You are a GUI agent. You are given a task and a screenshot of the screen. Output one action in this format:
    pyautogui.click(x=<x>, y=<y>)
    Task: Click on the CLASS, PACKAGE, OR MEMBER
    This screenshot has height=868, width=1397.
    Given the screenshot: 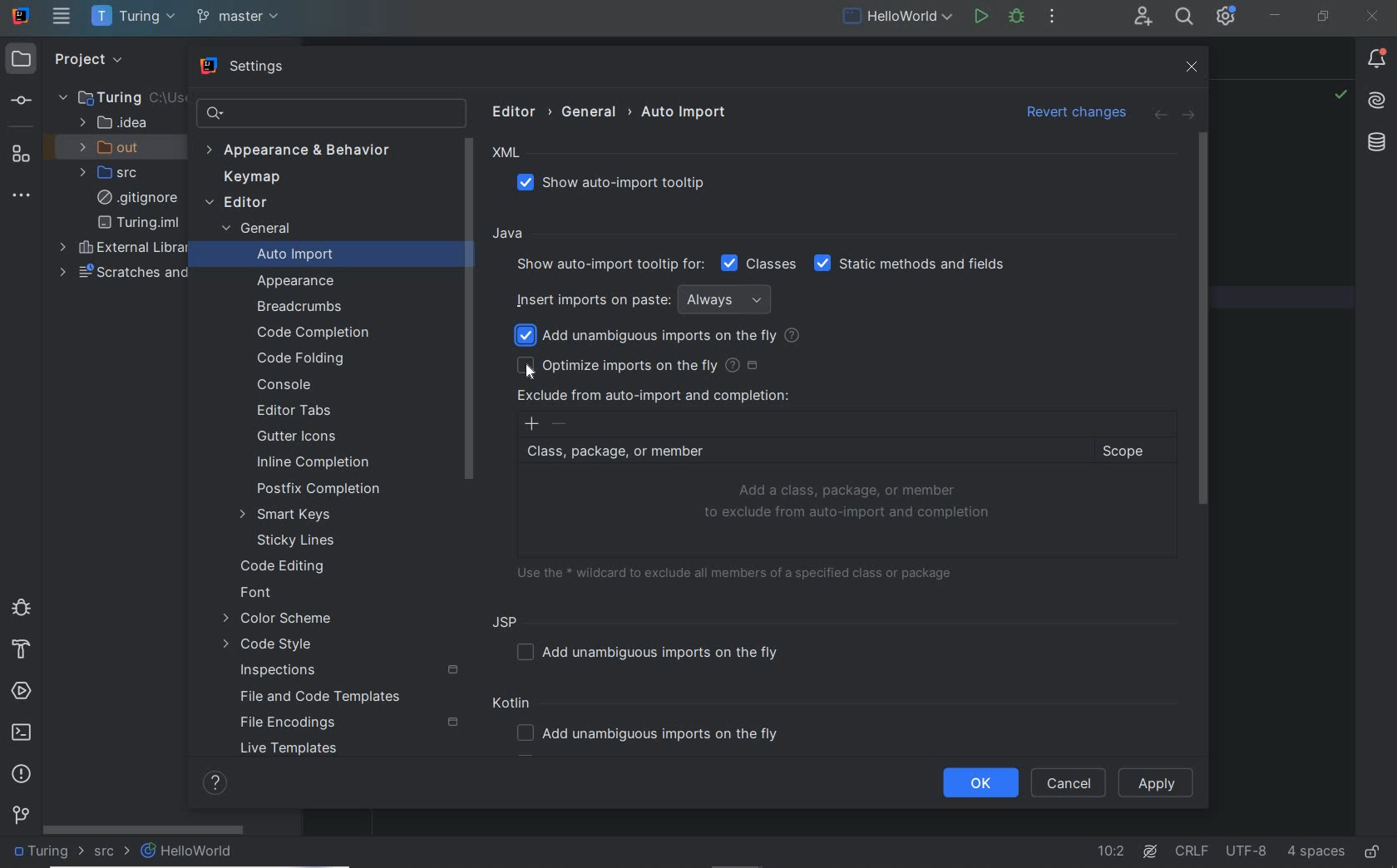 What is the action you would take?
    pyautogui.click(x=801, y=452)
    